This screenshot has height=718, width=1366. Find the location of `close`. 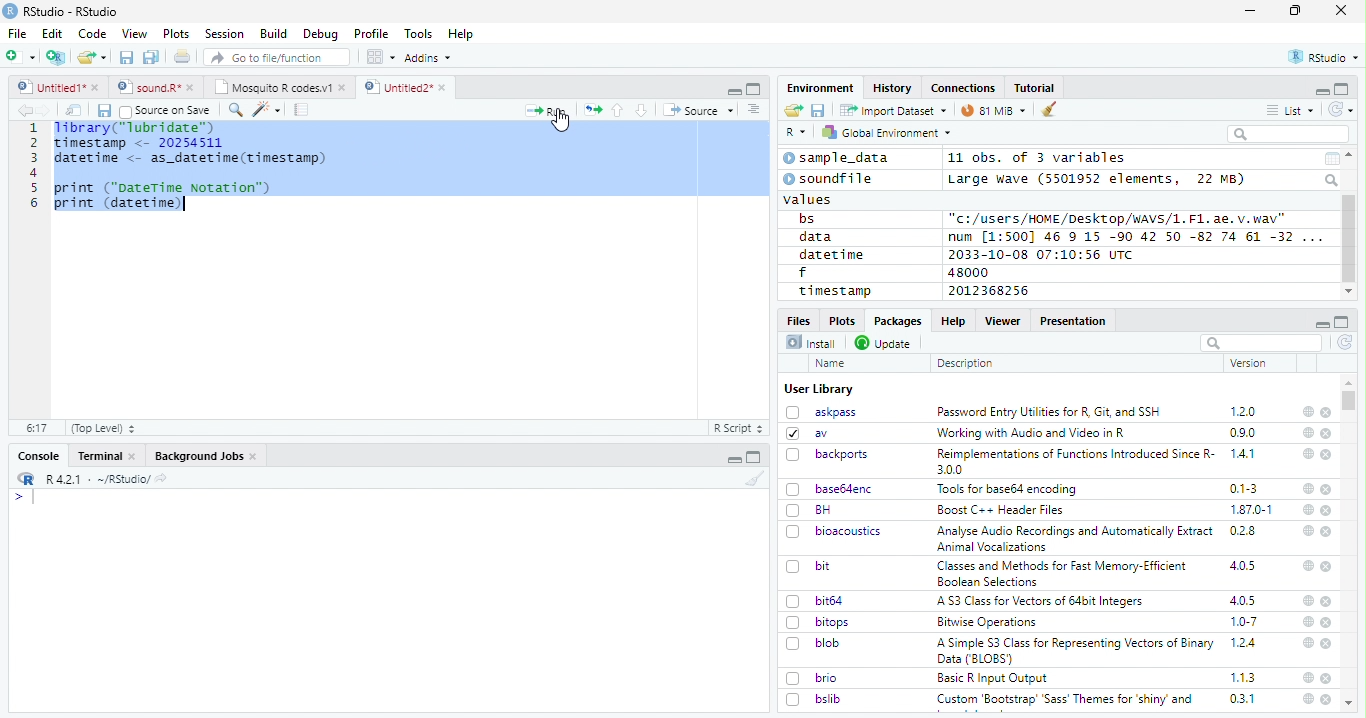

close is located at coordinates (1326, 413).